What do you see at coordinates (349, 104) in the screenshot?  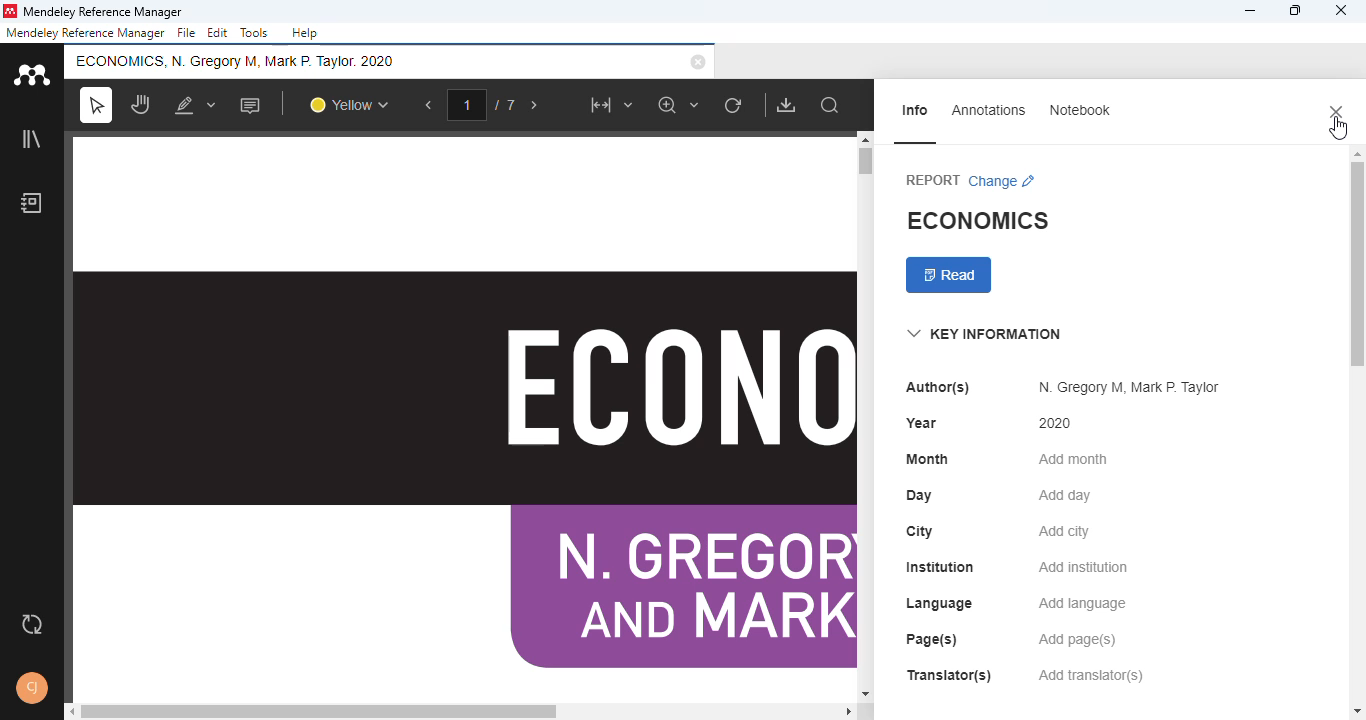 I see `highlight color` at bounding box center [349, 104].